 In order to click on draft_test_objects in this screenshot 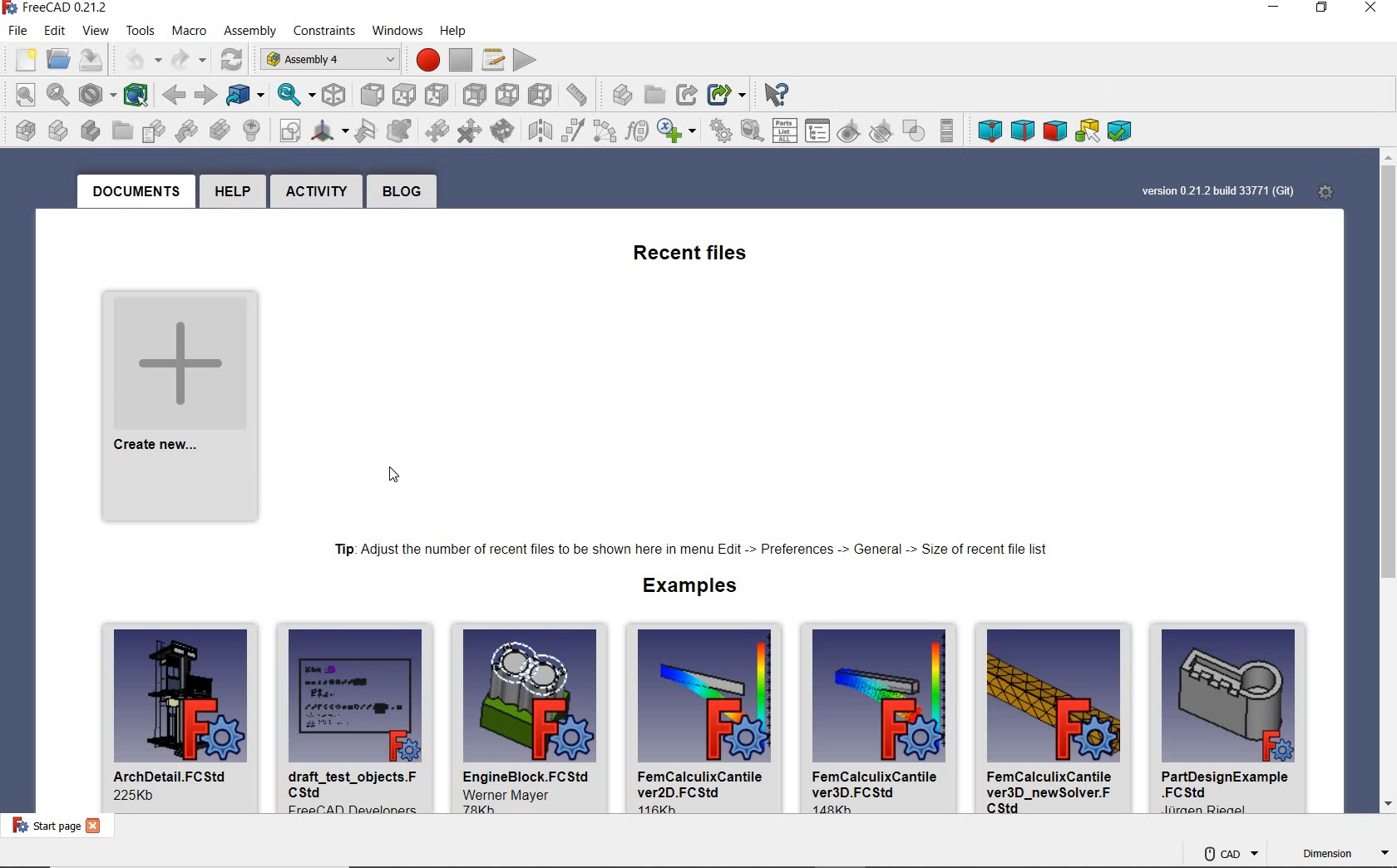, I will do `click(360, 715)`.